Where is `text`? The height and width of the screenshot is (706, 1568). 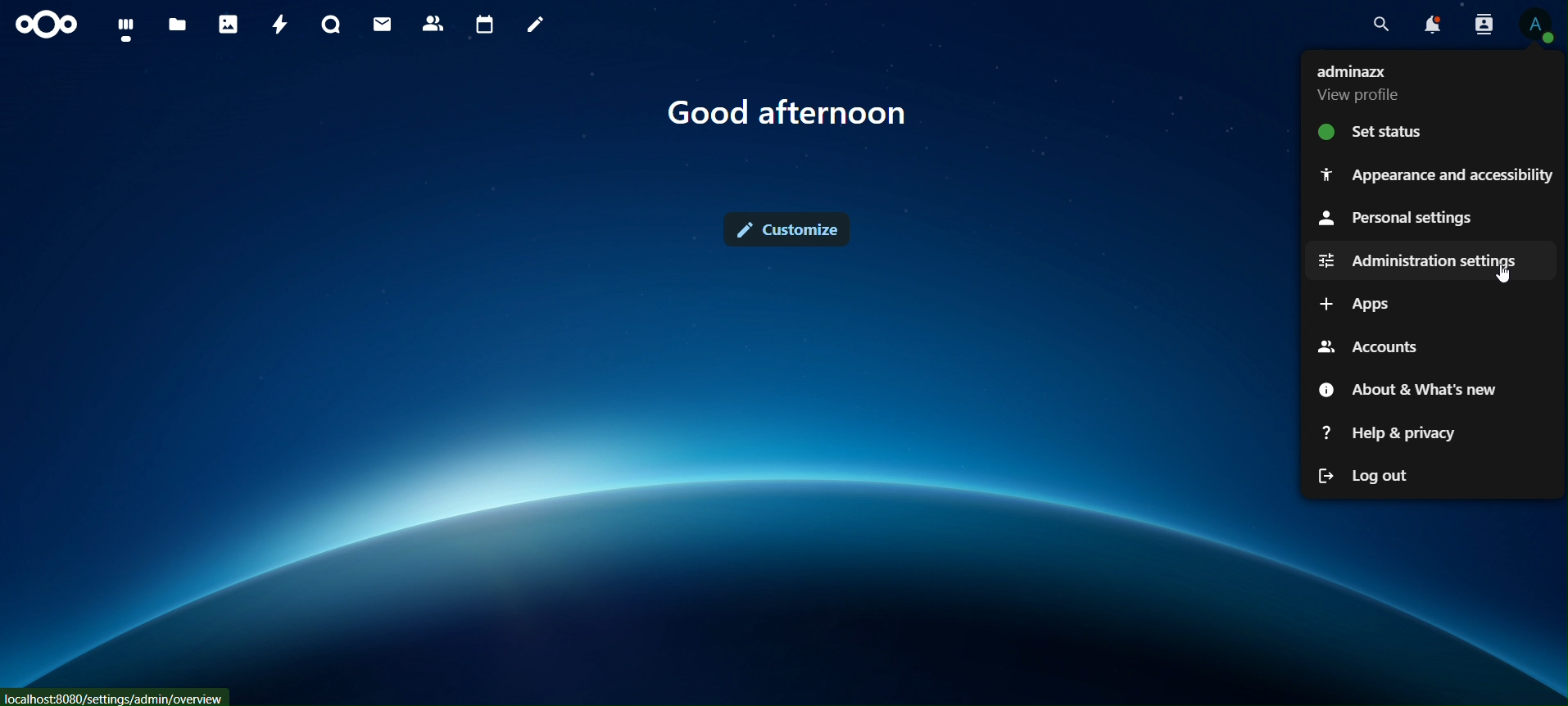 text is located at coordinates (791, 115).